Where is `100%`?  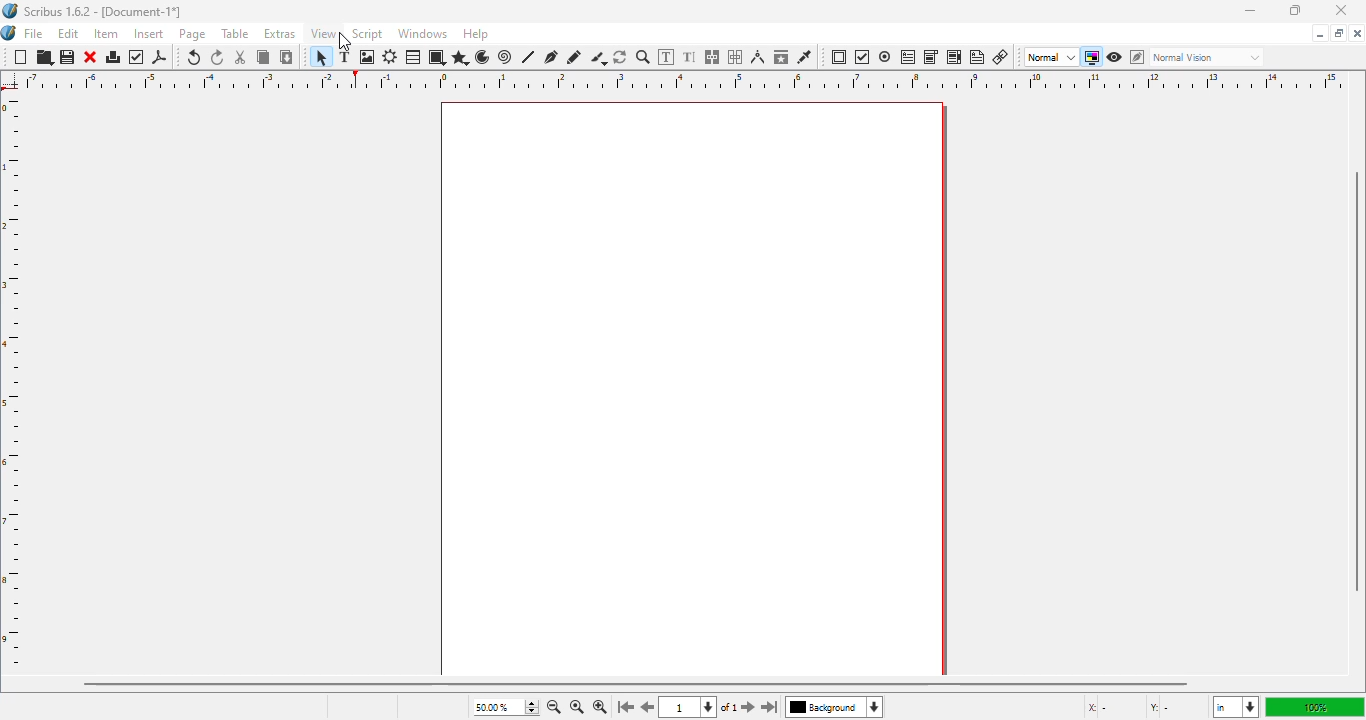
100% is located at coordinates (1311, 707).